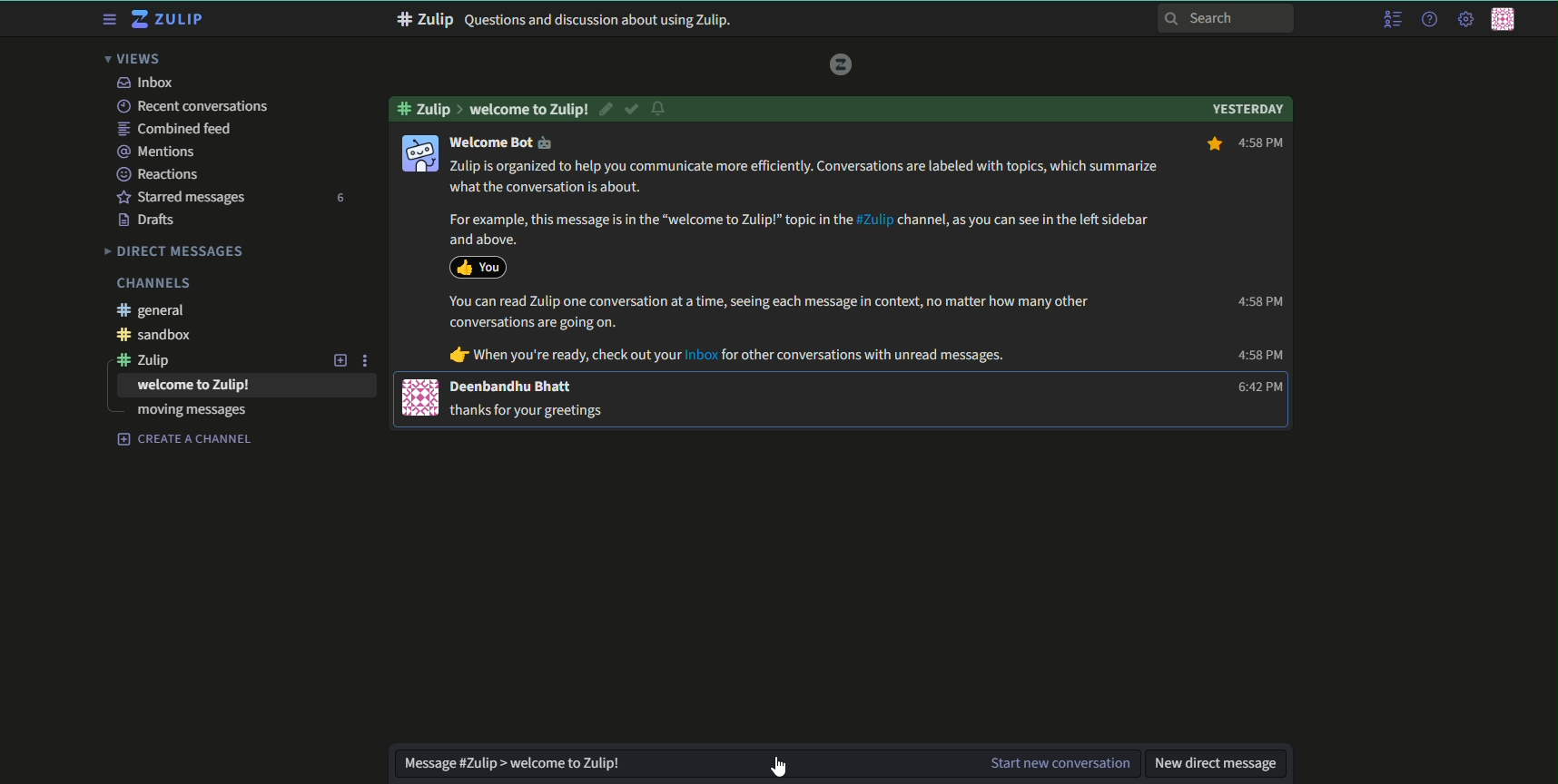 The width and height of the screenshot is (1558, 784). I want to click on starred messages, so click(181, 196).